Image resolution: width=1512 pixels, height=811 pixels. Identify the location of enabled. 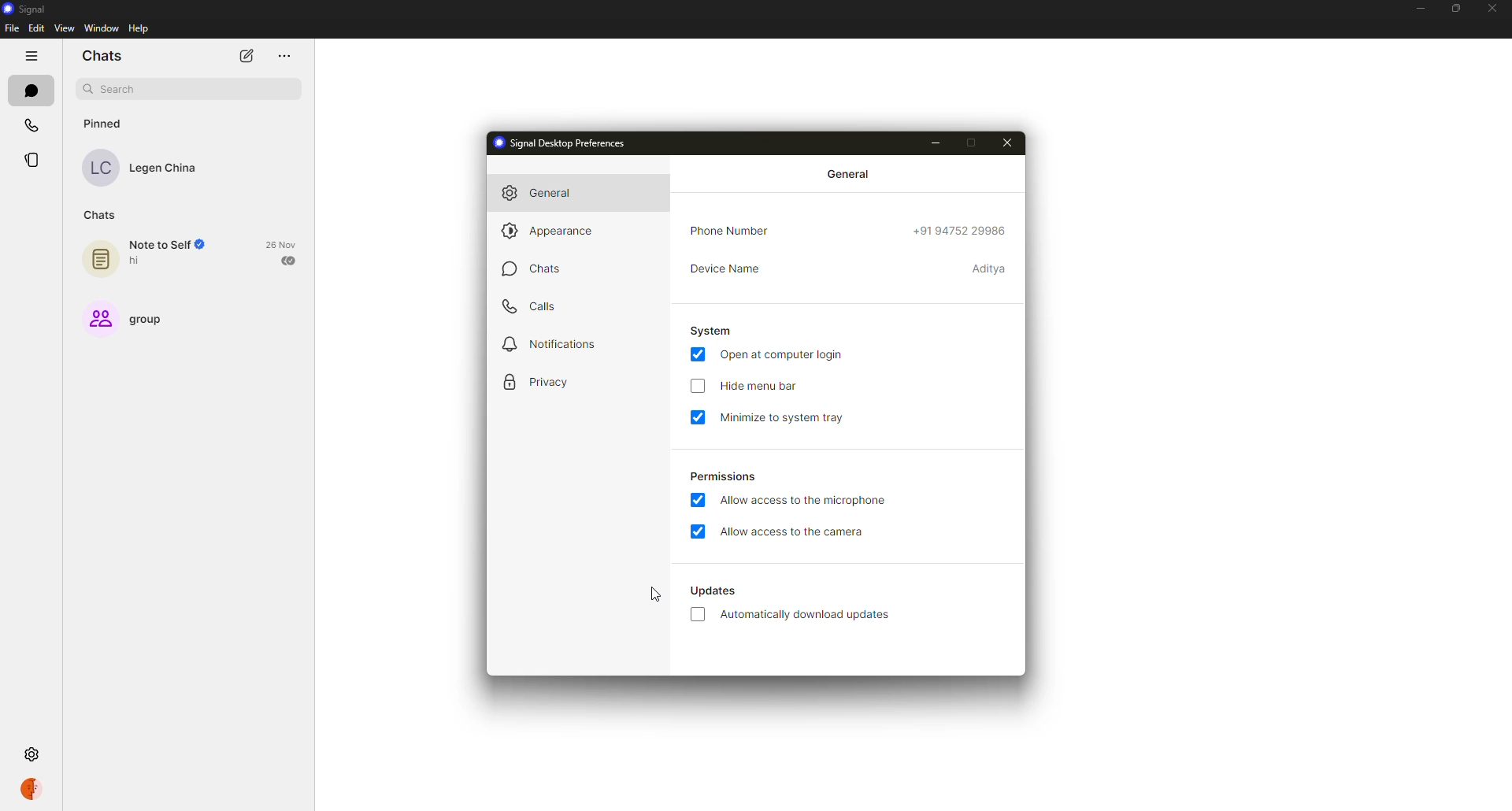
(699, 500).